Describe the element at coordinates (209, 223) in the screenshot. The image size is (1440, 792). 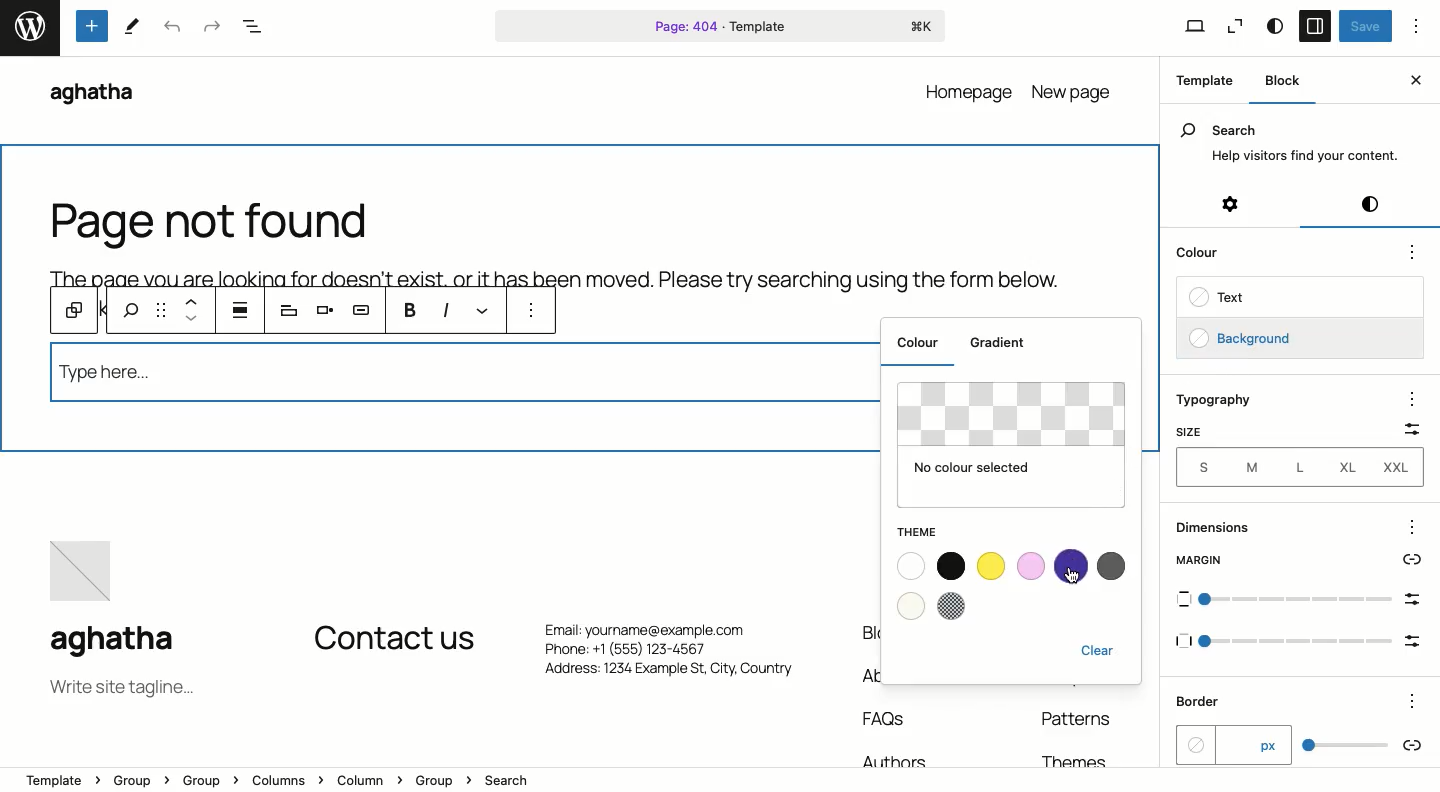
I see `Page not found` at that location.